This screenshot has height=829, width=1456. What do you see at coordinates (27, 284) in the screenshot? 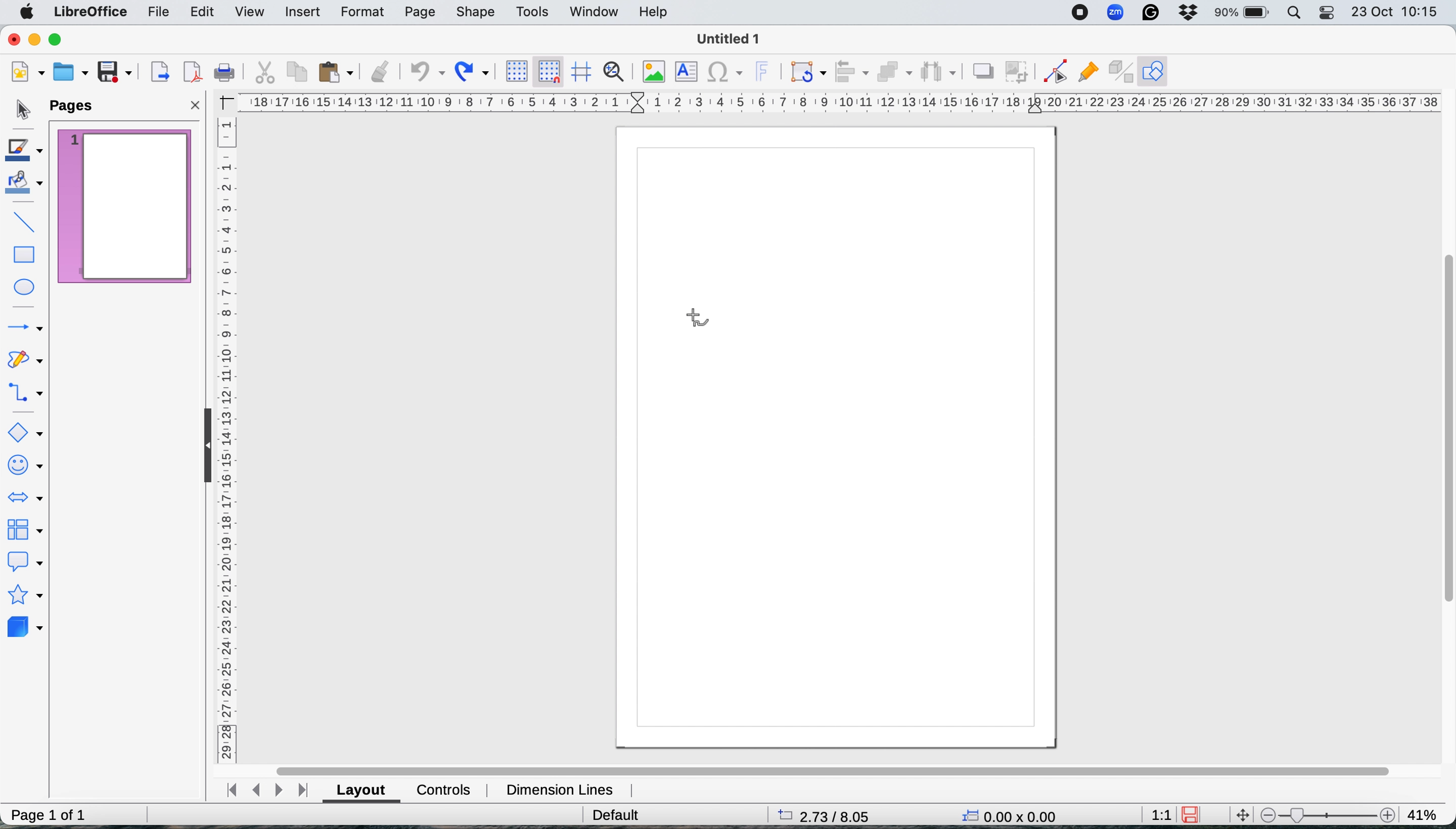
I see `ellipse` at bounding box center [27, 284].